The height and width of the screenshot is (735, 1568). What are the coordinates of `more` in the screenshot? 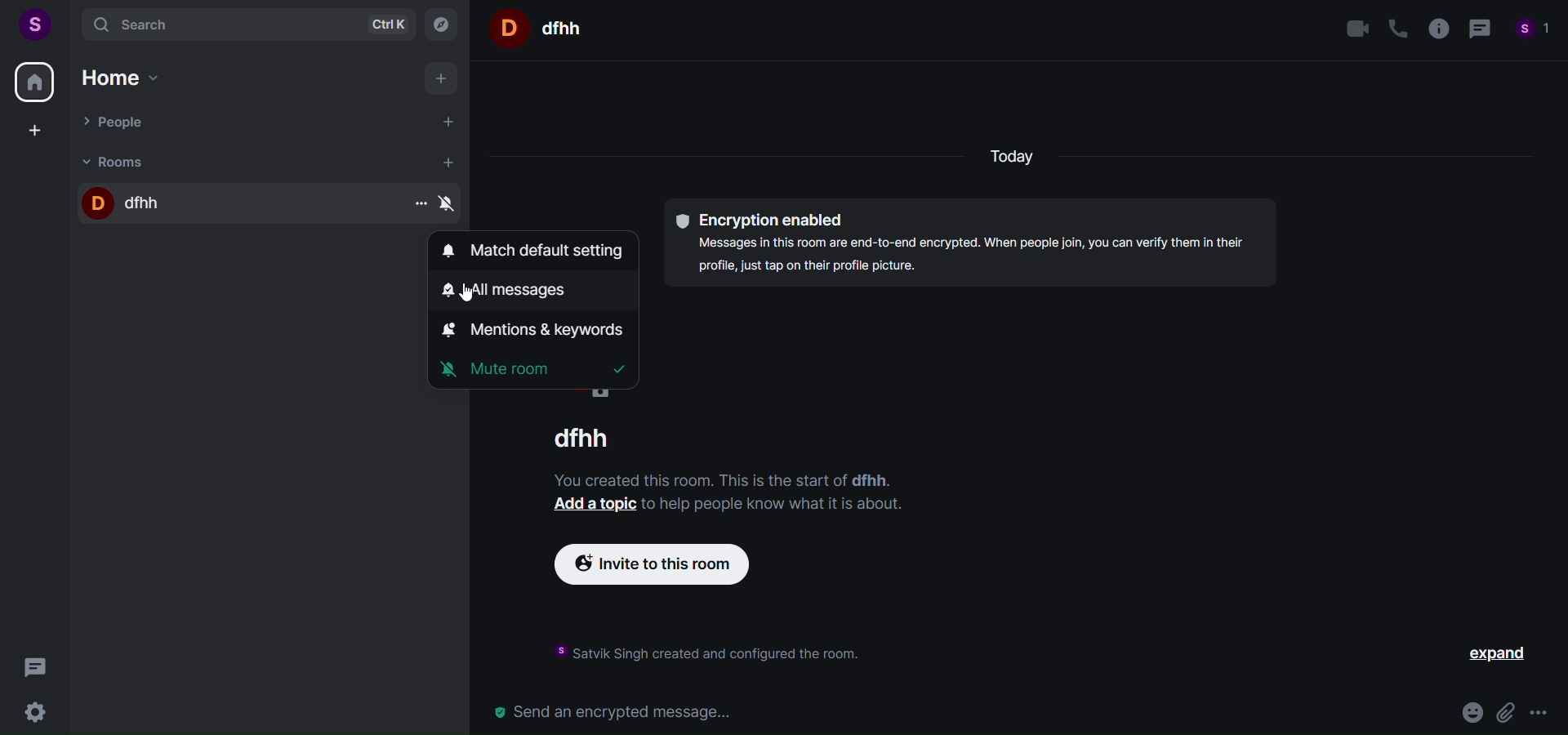 It's located at (1540, 712).